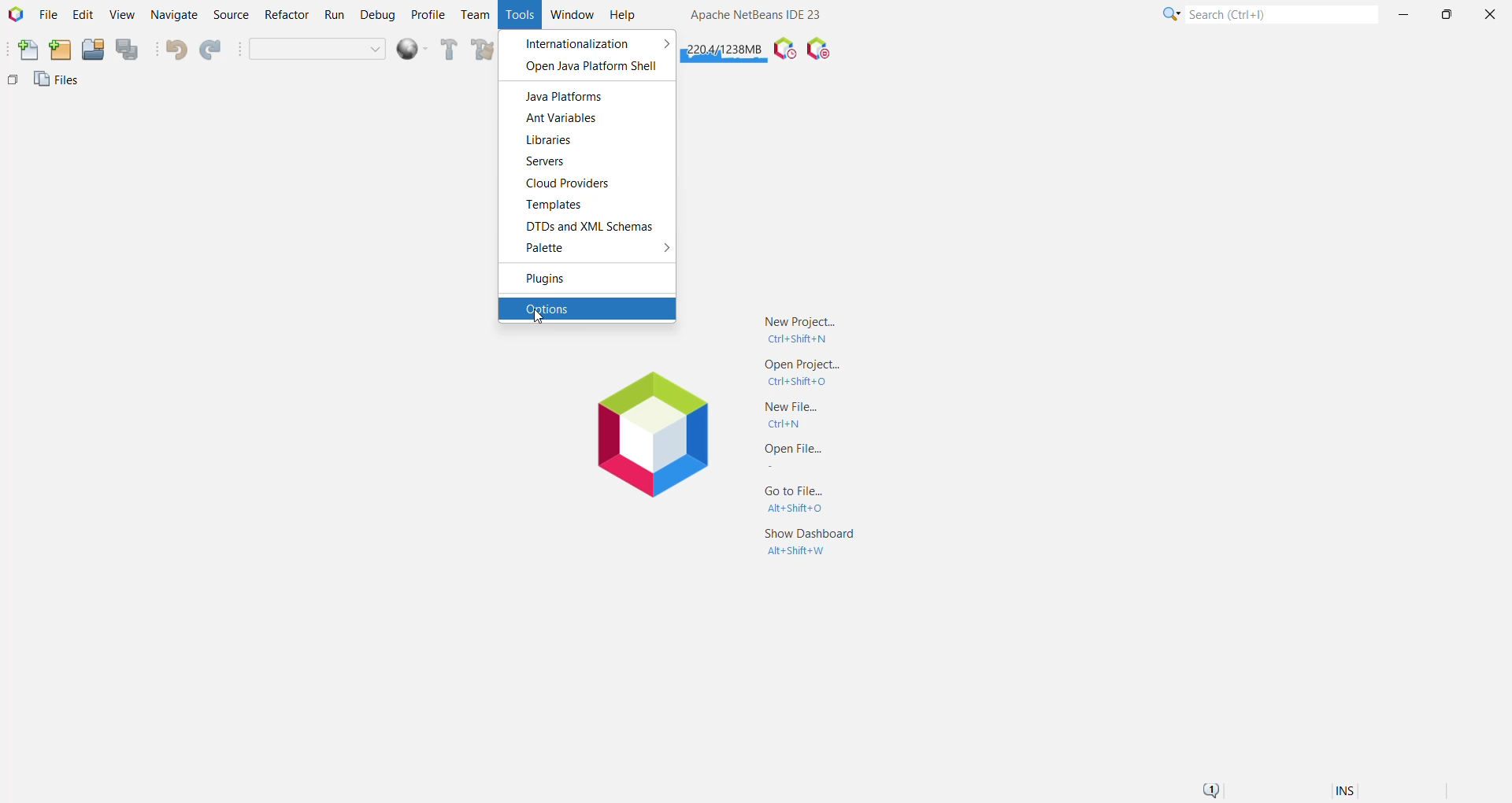  I want to click on New Project, so click(60, 50).